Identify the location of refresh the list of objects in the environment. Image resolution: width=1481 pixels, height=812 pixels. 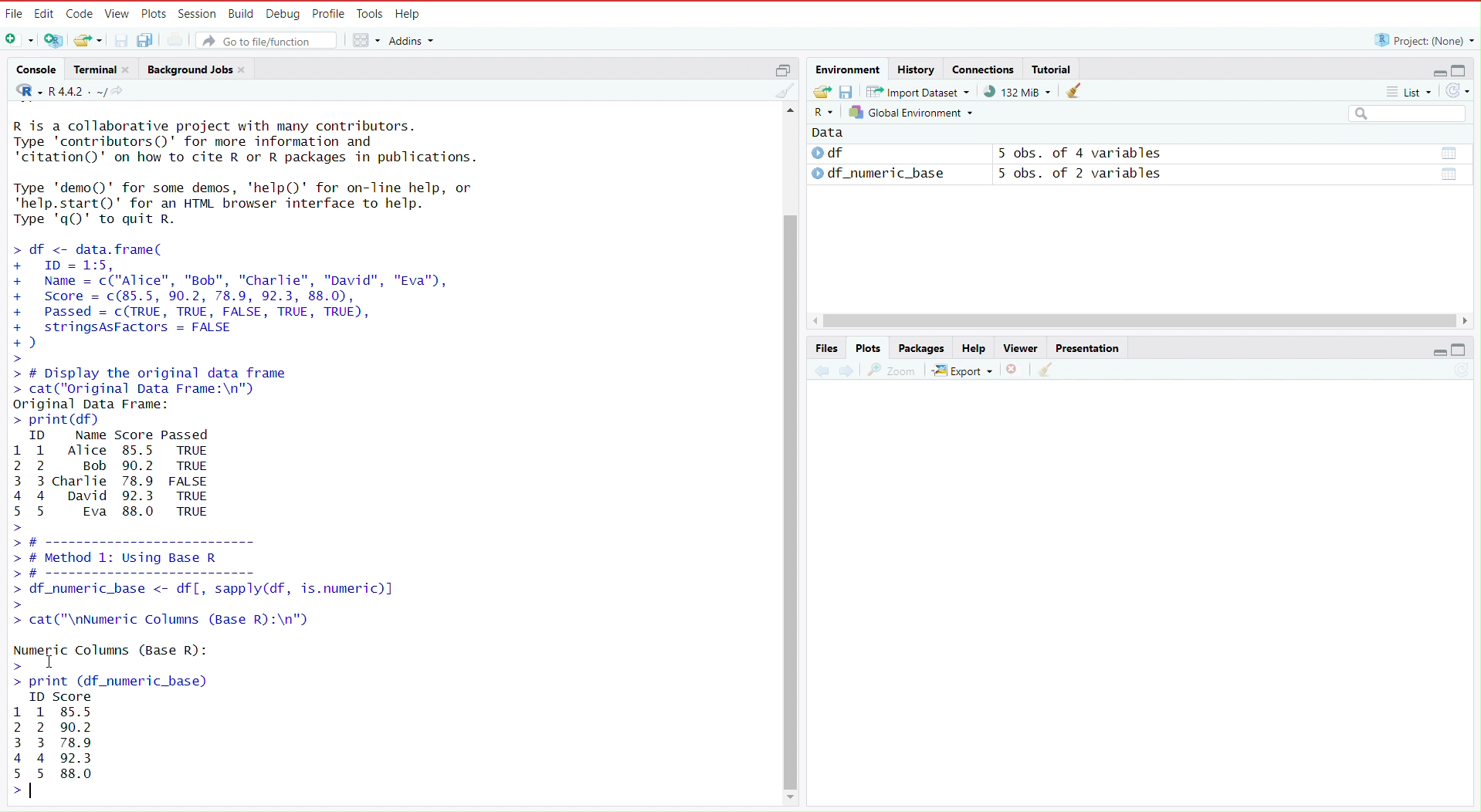
(1462, 91).